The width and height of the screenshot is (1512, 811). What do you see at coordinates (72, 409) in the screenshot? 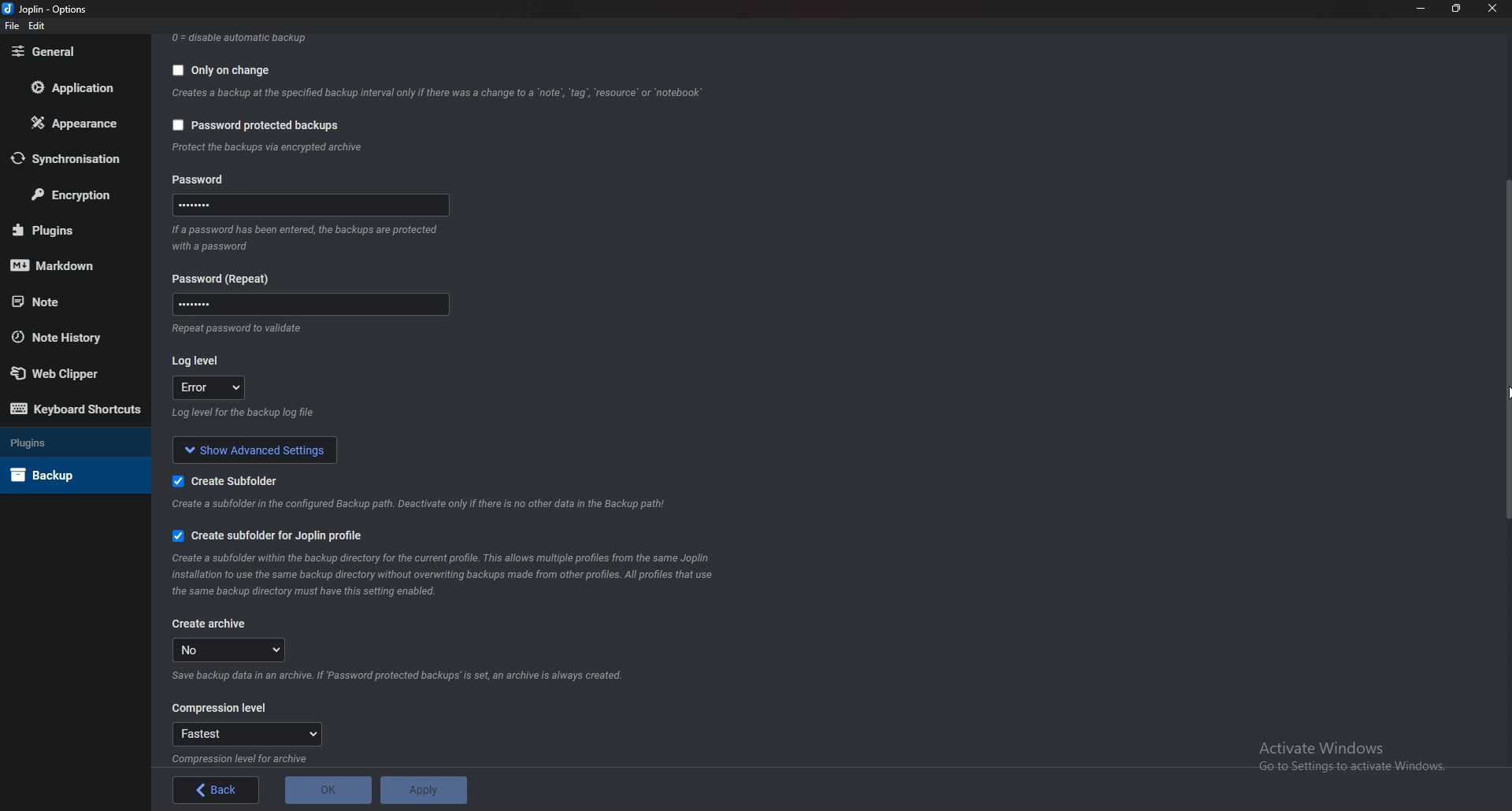
I see `Keyboard shortcuts` at bounding box center [72, 409].